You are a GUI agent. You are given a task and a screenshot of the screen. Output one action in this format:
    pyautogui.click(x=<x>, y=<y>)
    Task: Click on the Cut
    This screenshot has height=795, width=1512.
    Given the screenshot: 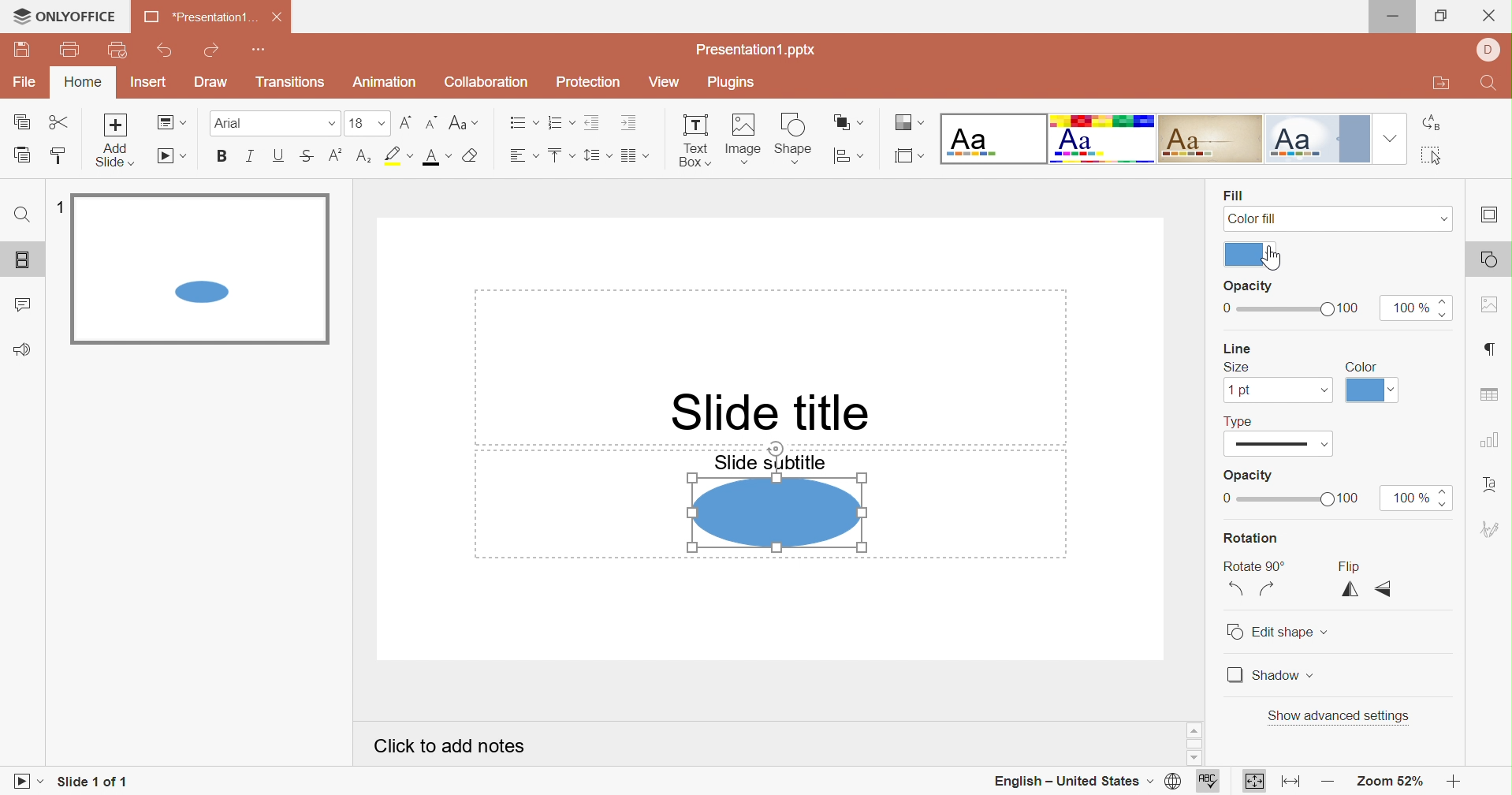 What is the action you would take?
    pyautogui.click(x=58, y=121)
    